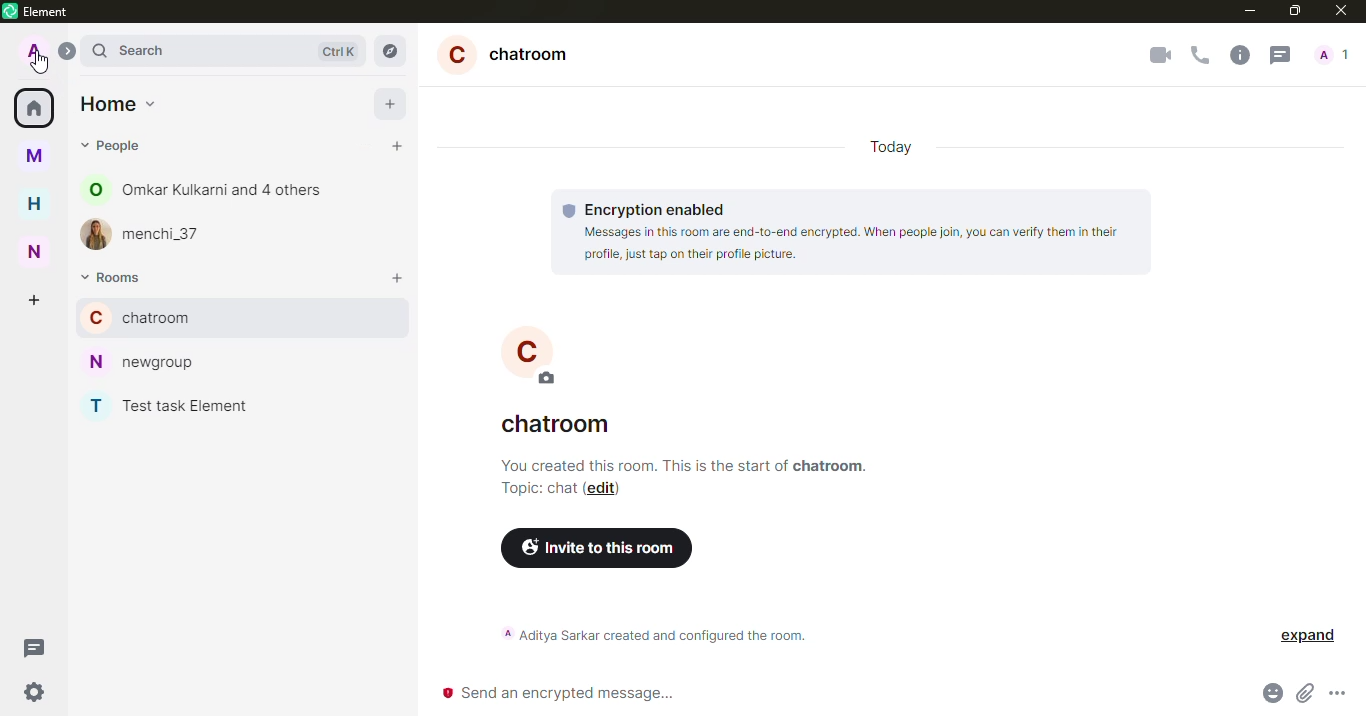 The height and width of the screenshot is (716, 1366). Describe the element at coordinates (396, 276) in the screenshot. I see `add room` at that location.